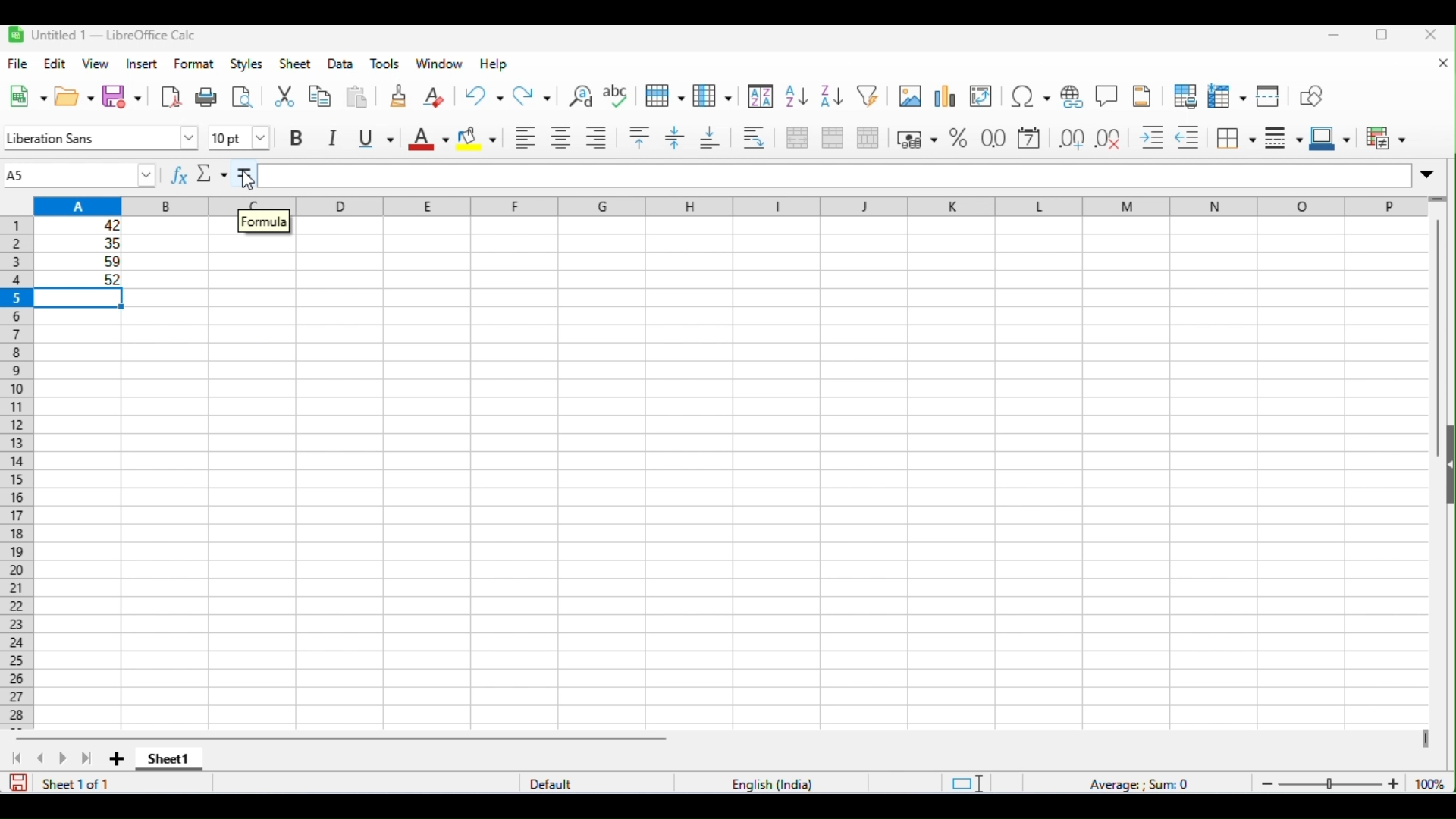 This screenshot has height=819, width=1456. I want to click on file, so click(19, 64).